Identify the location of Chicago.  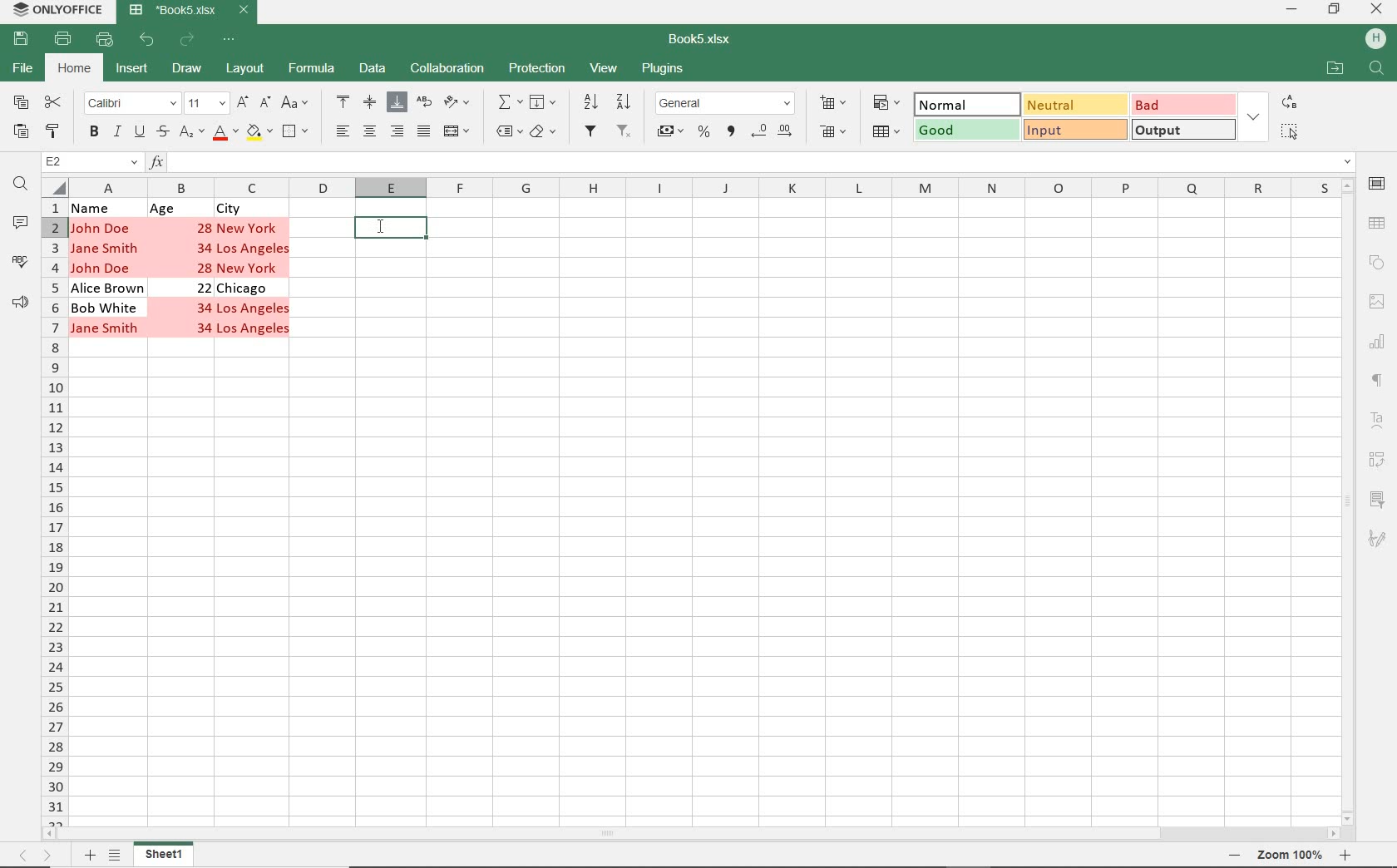
(245, 289).